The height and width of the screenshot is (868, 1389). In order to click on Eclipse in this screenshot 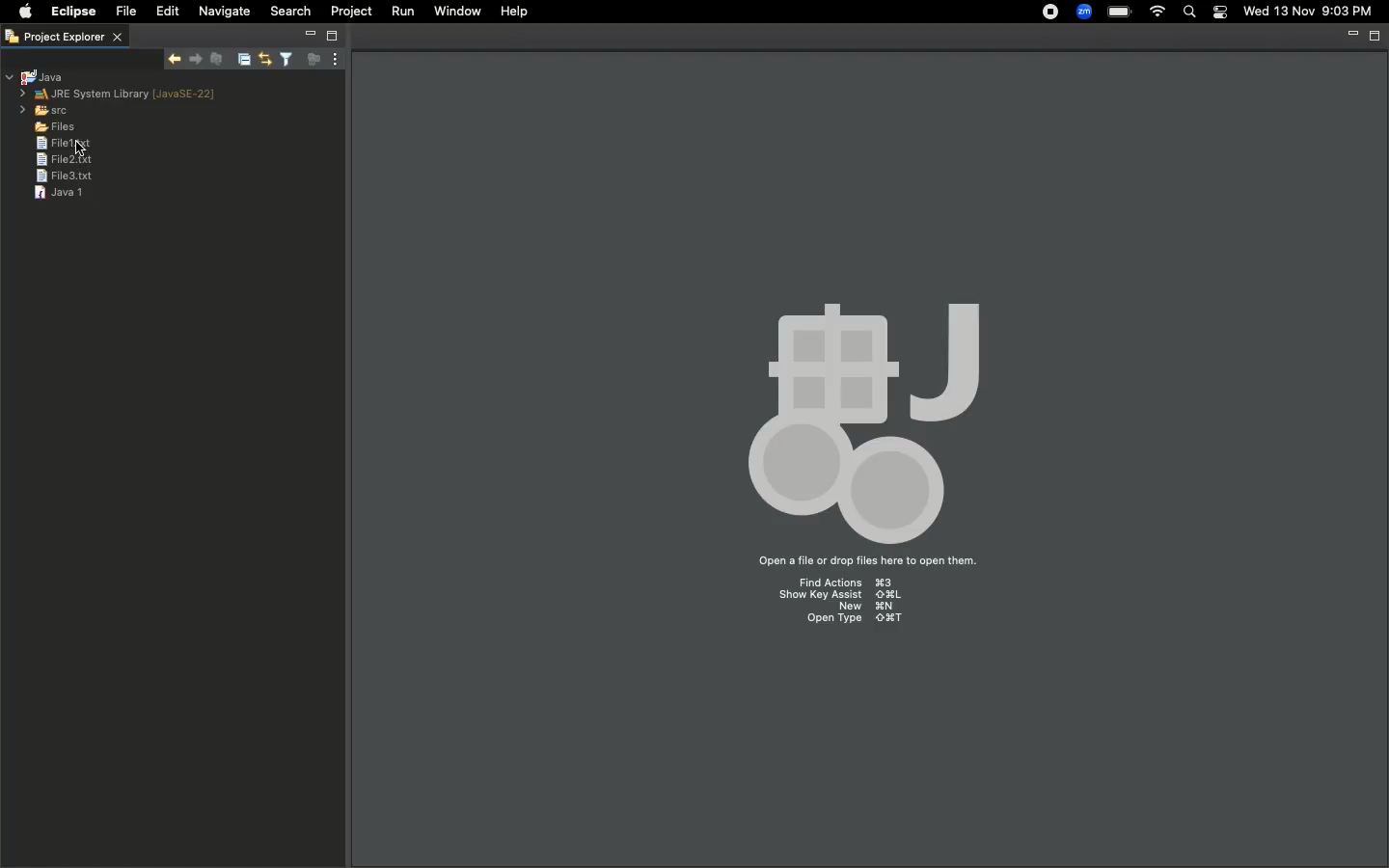, I will do `click(70, 12)`.